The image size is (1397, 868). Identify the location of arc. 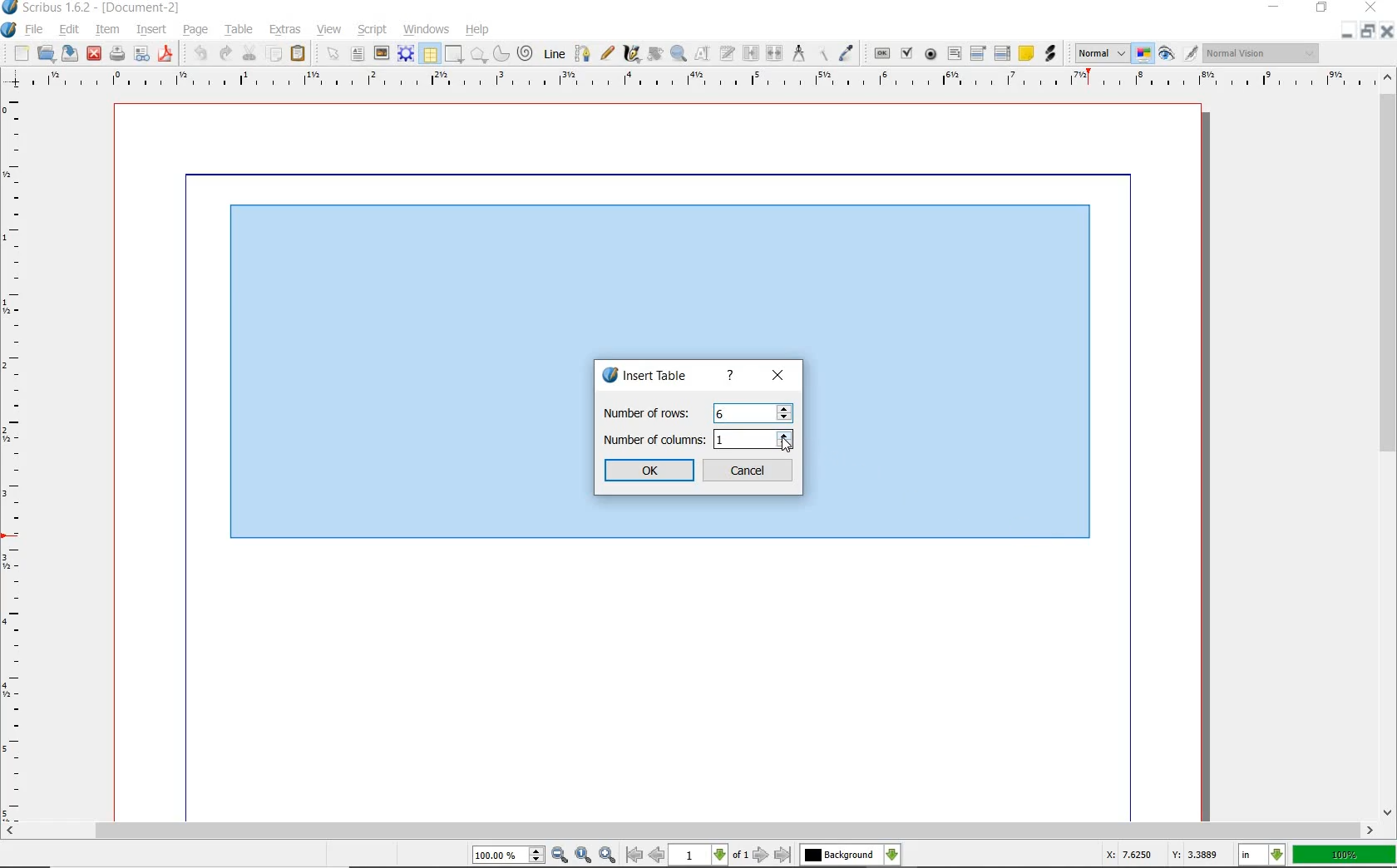
(501, 57).